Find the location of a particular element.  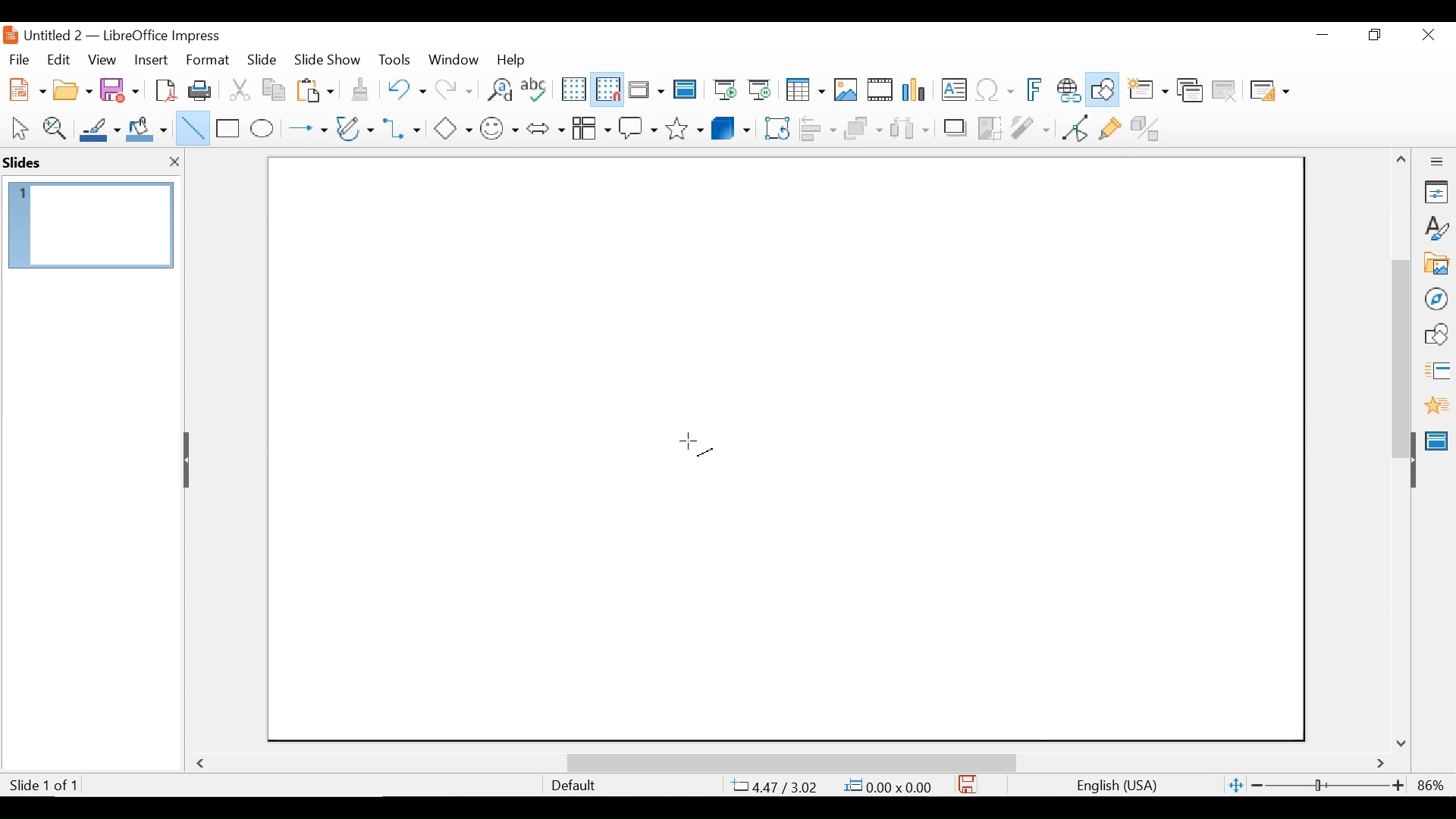

4.47/3.02   0.00x0.00 is located at coordinates (838, 786).